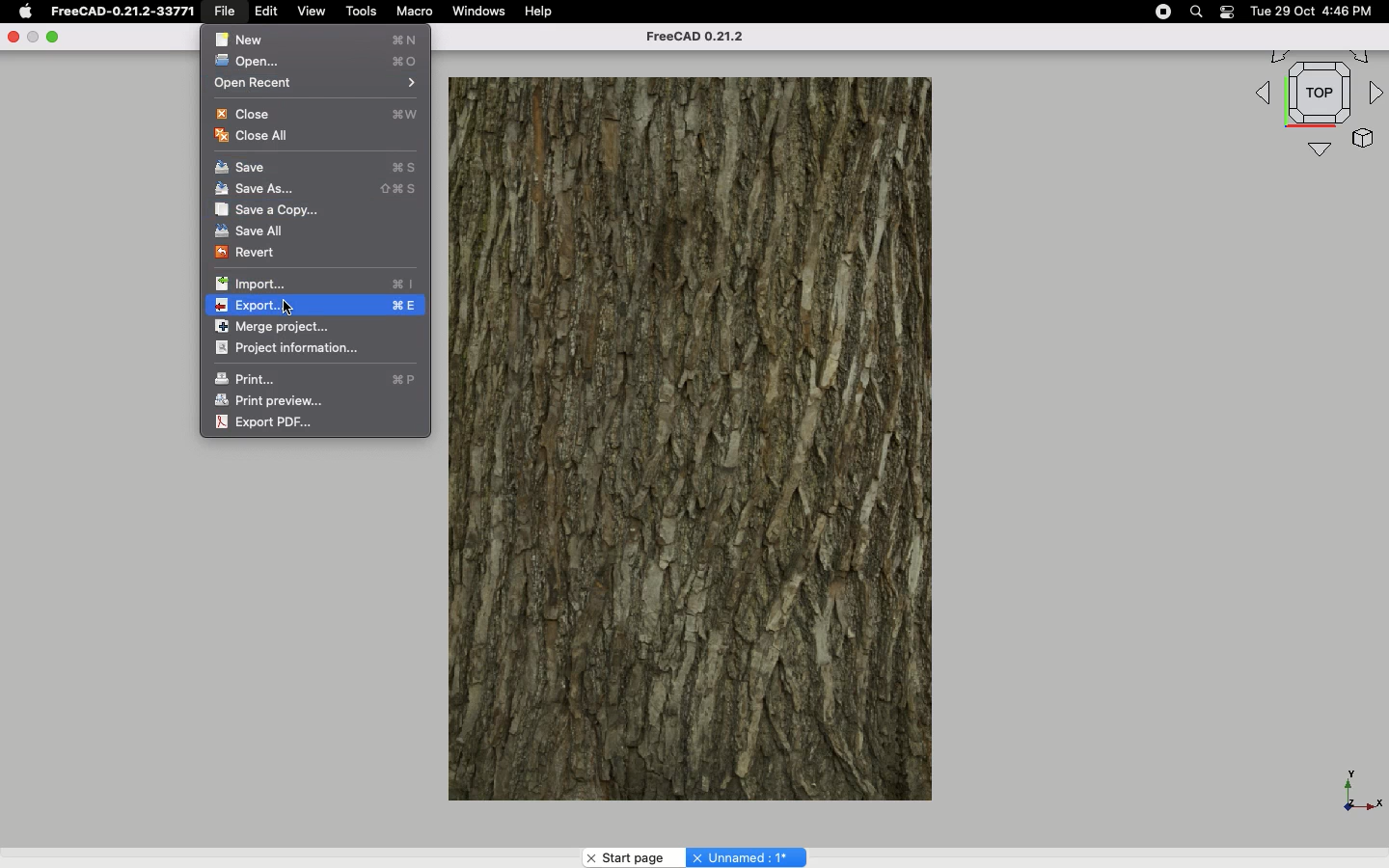 This screenshot has width=1389, height=868. Describe the element at coordinates (268, 12) in the screenshot. I see `Edit` at that location.